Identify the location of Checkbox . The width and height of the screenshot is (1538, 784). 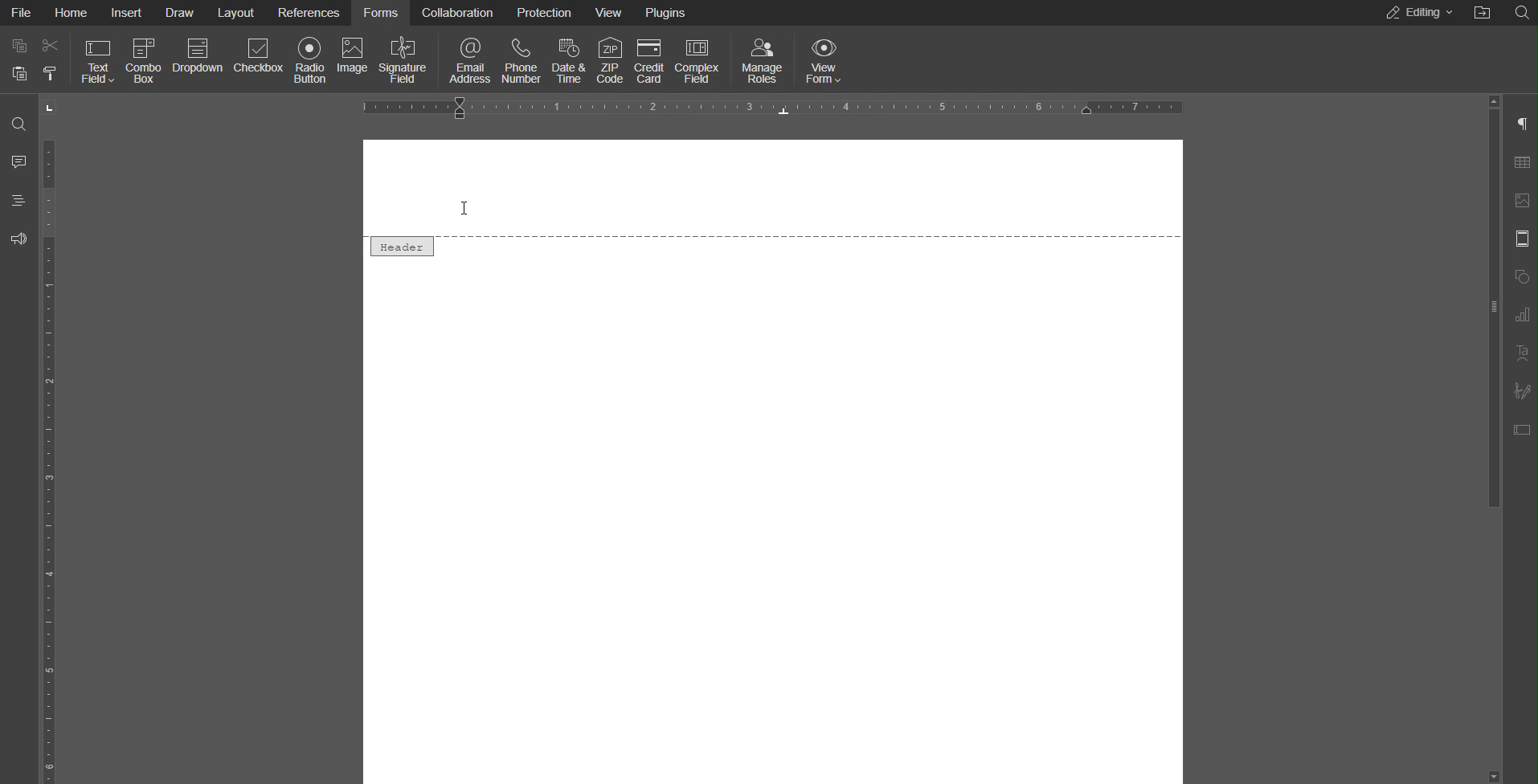
(258, 59).